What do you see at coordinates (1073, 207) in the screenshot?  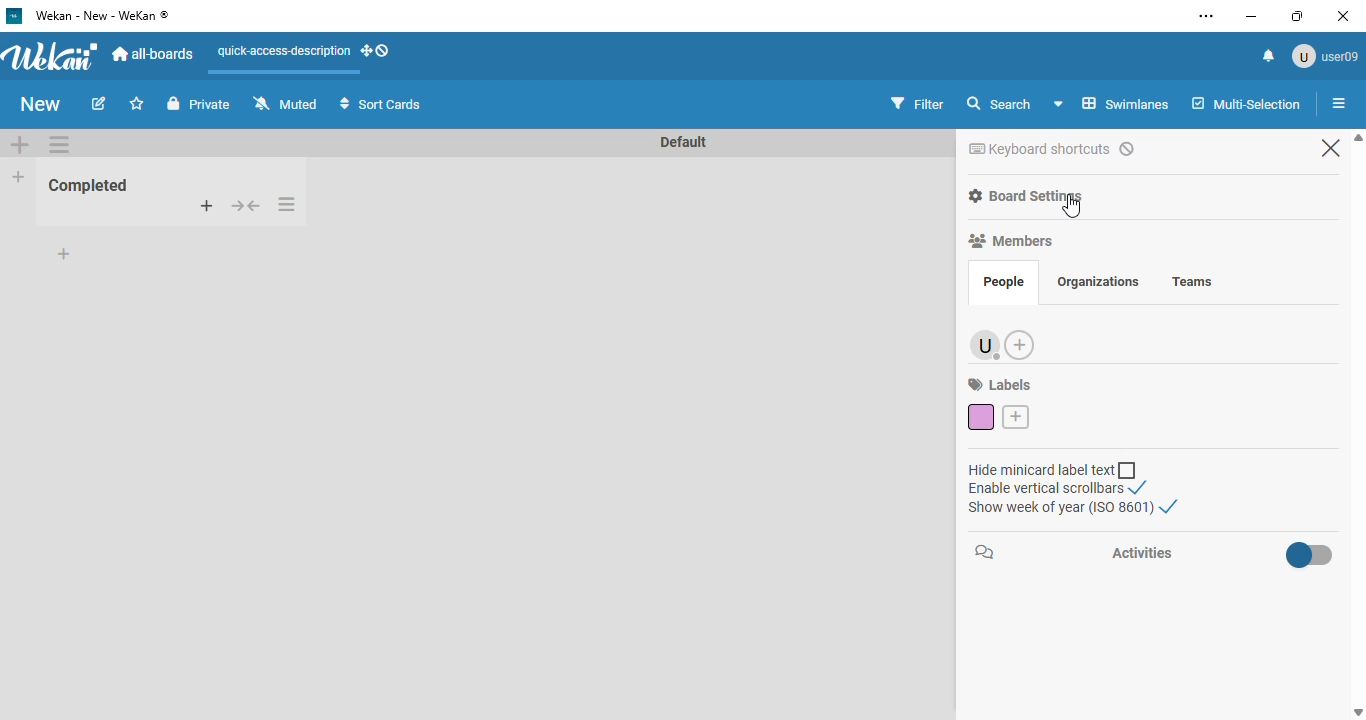 I see `cursor` at bounding box center [1073, 207].